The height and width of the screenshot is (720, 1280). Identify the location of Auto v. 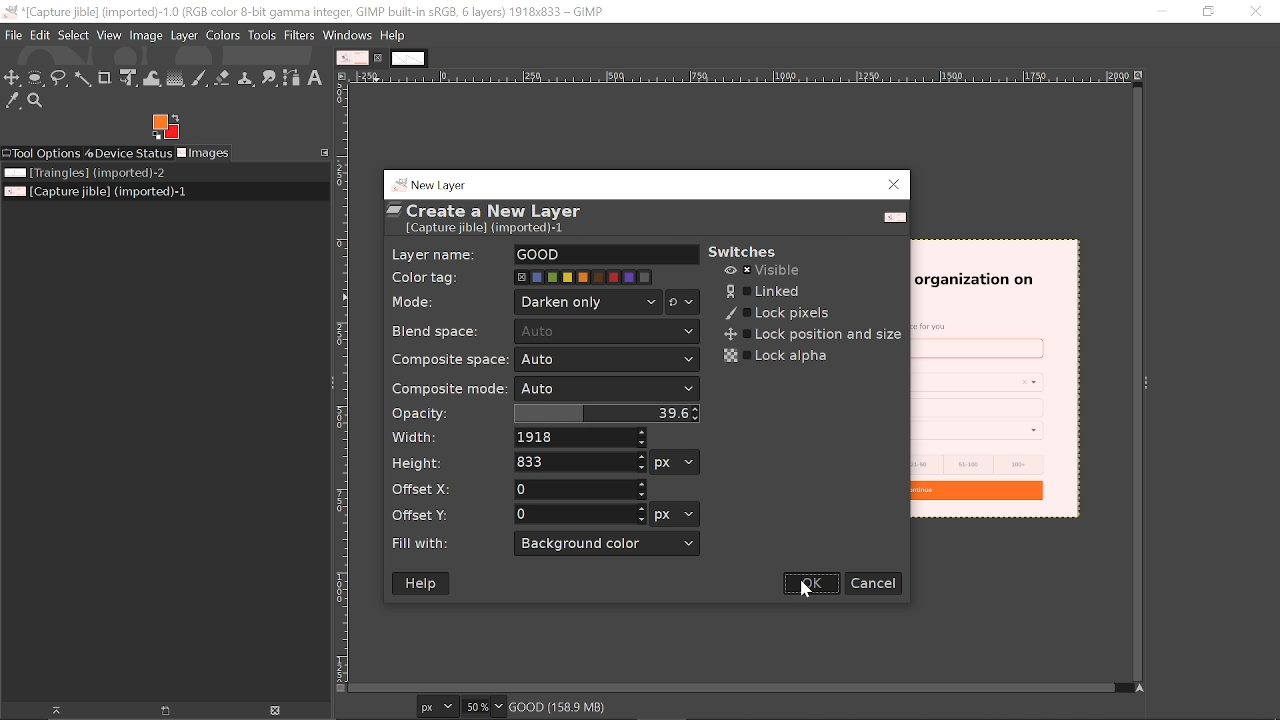
(608, 333).